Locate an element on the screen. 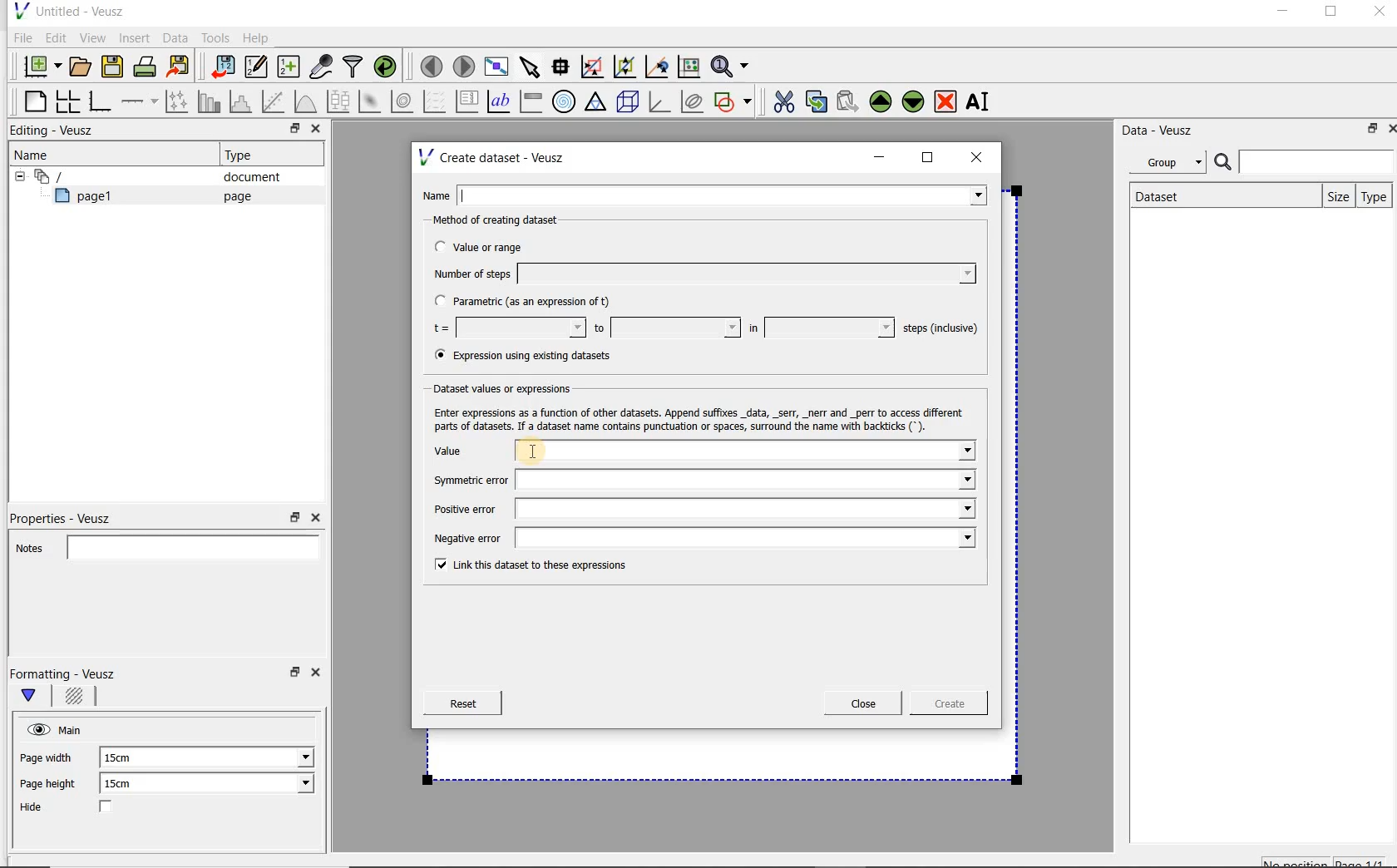  ternary graph is located at coordinates (597, 102).